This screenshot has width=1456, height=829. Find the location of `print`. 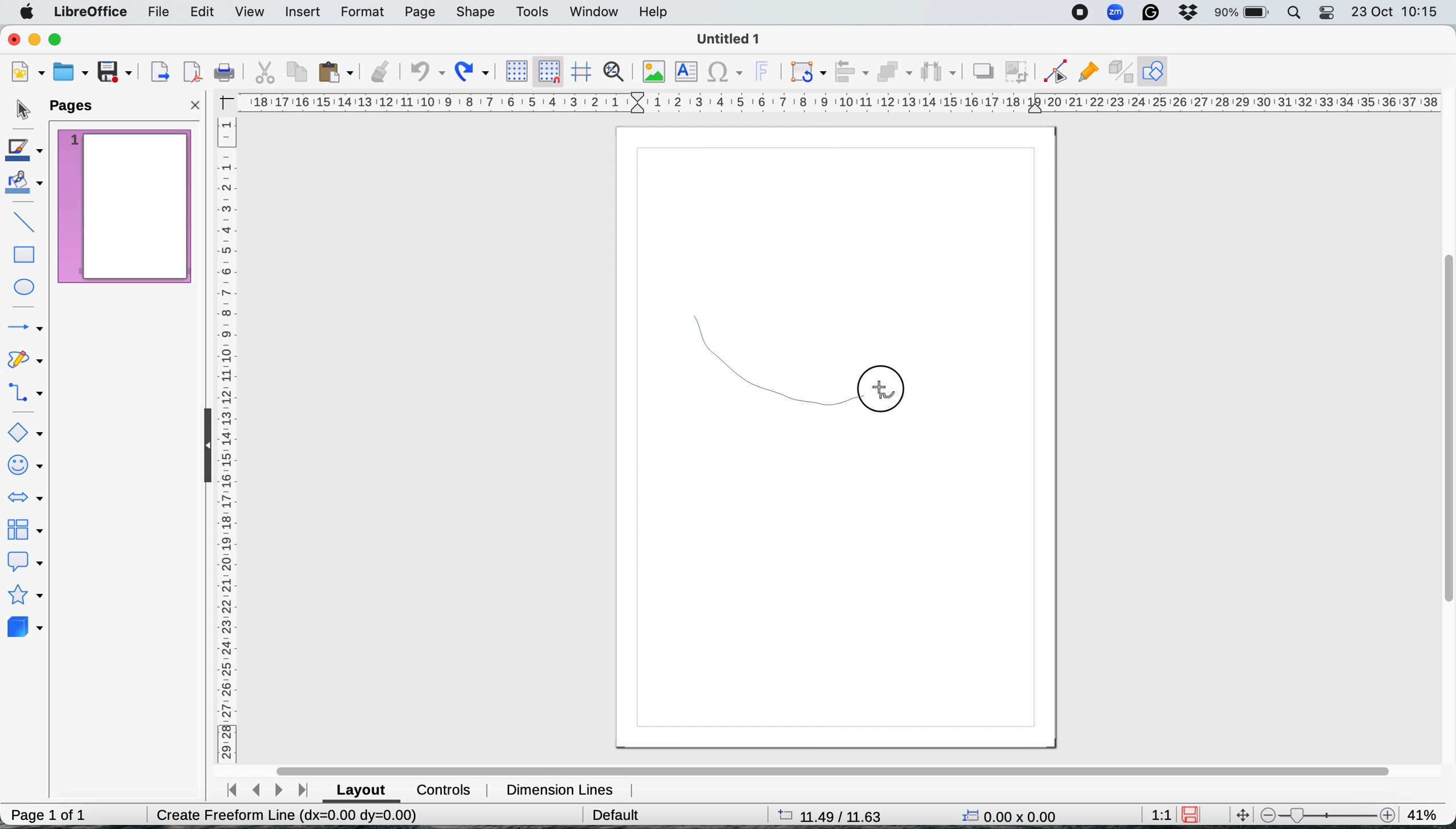

print is located at coordinates (225, 72).